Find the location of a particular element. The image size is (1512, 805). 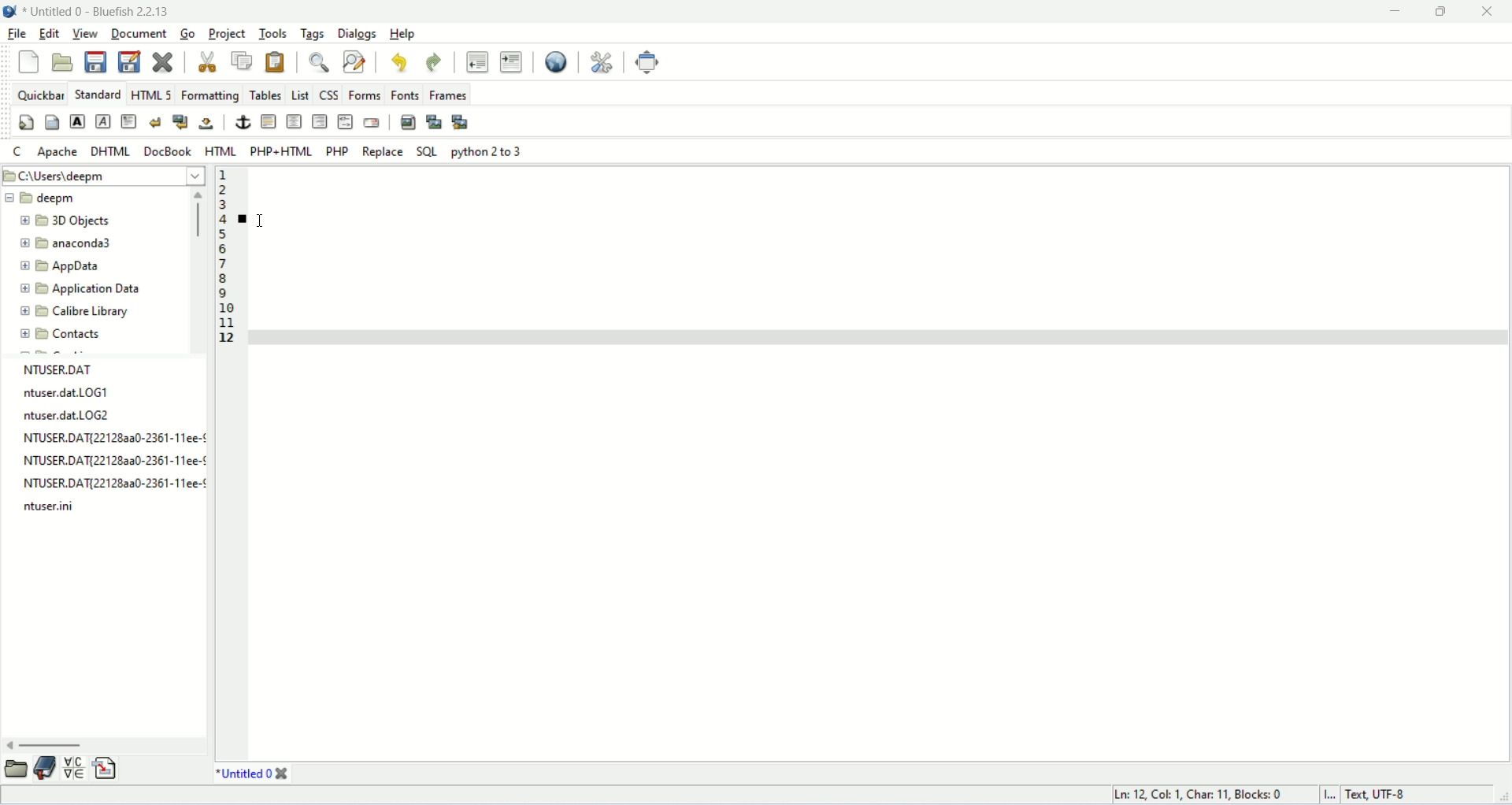

tools is located at coordinates (274, 34).